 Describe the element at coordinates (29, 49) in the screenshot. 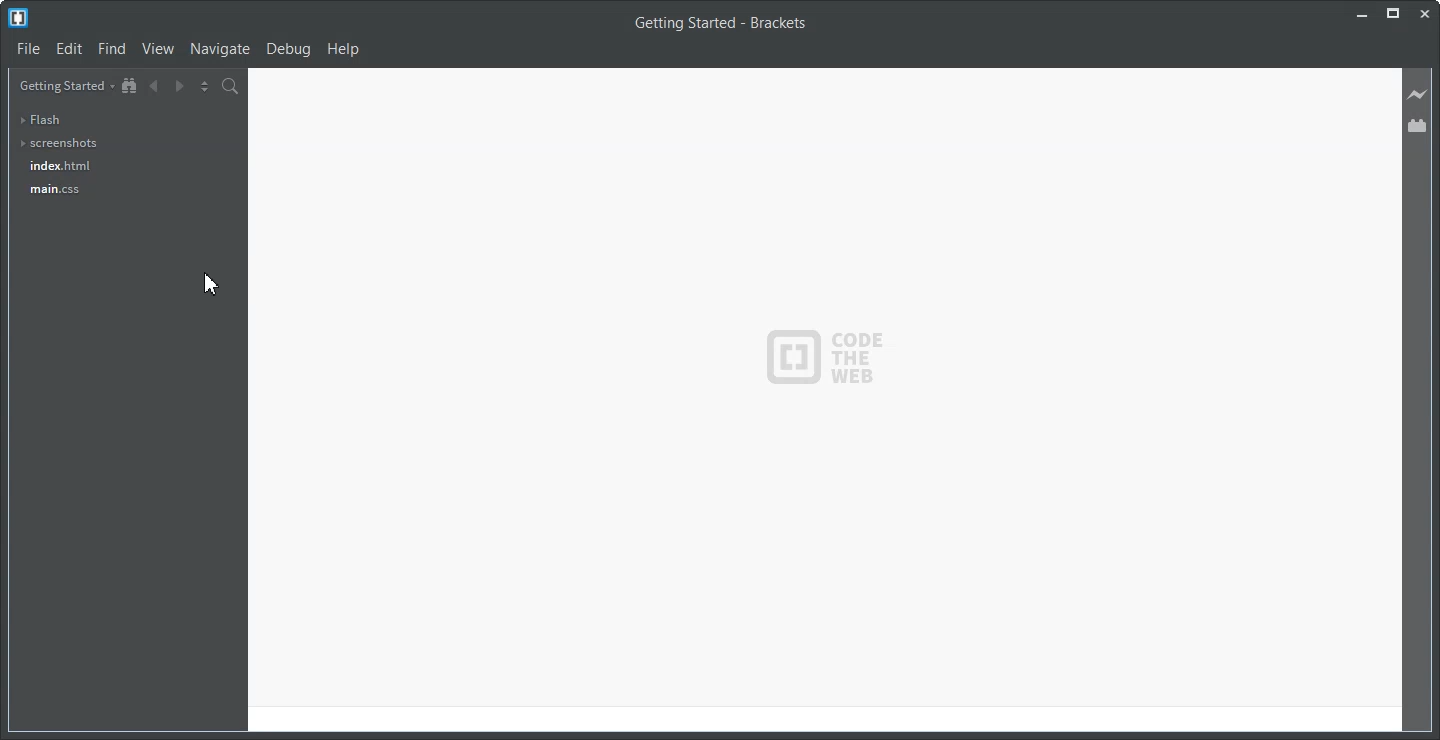

I see `File` at that location.